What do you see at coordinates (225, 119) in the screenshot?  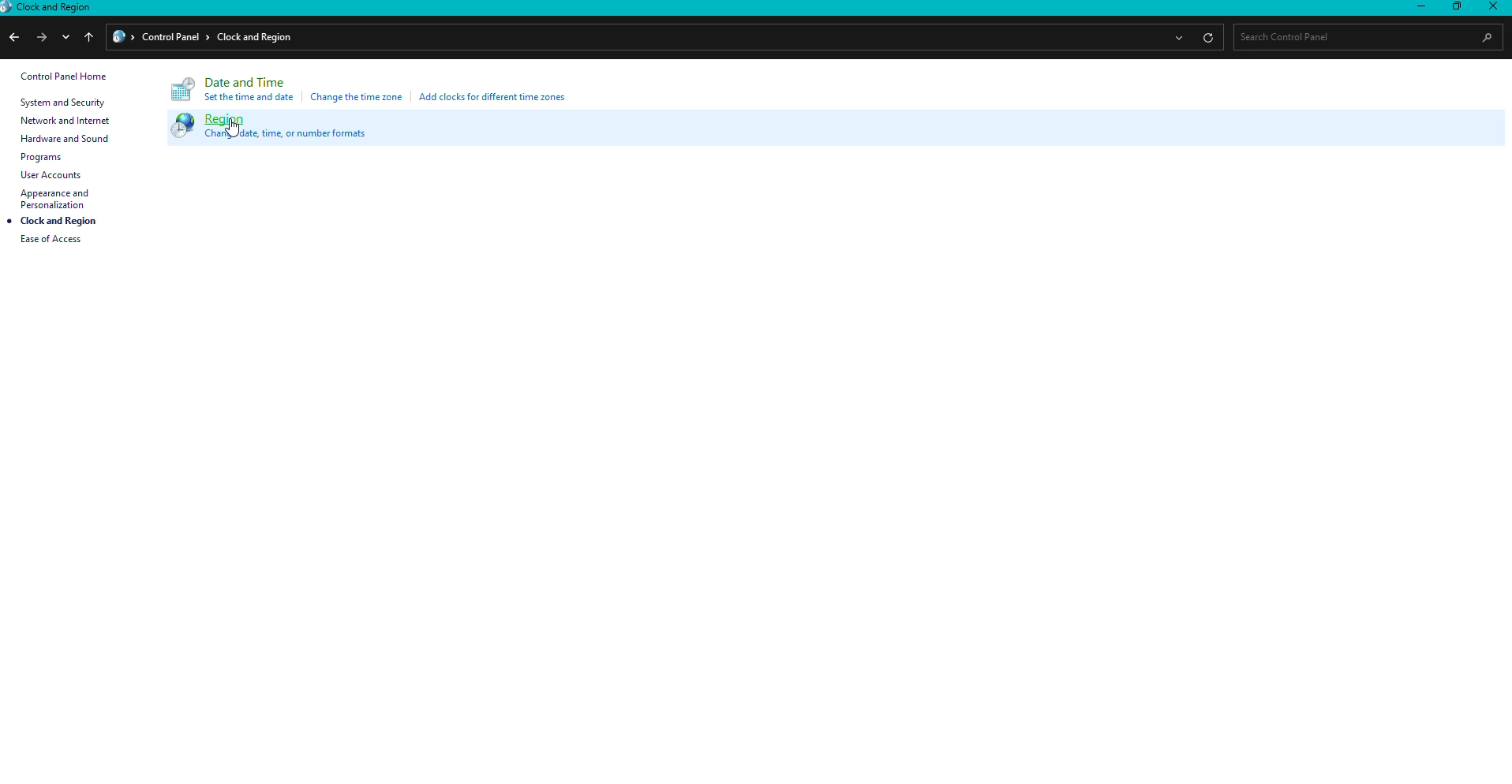 I see `Region` at bounding box center [225, 119].